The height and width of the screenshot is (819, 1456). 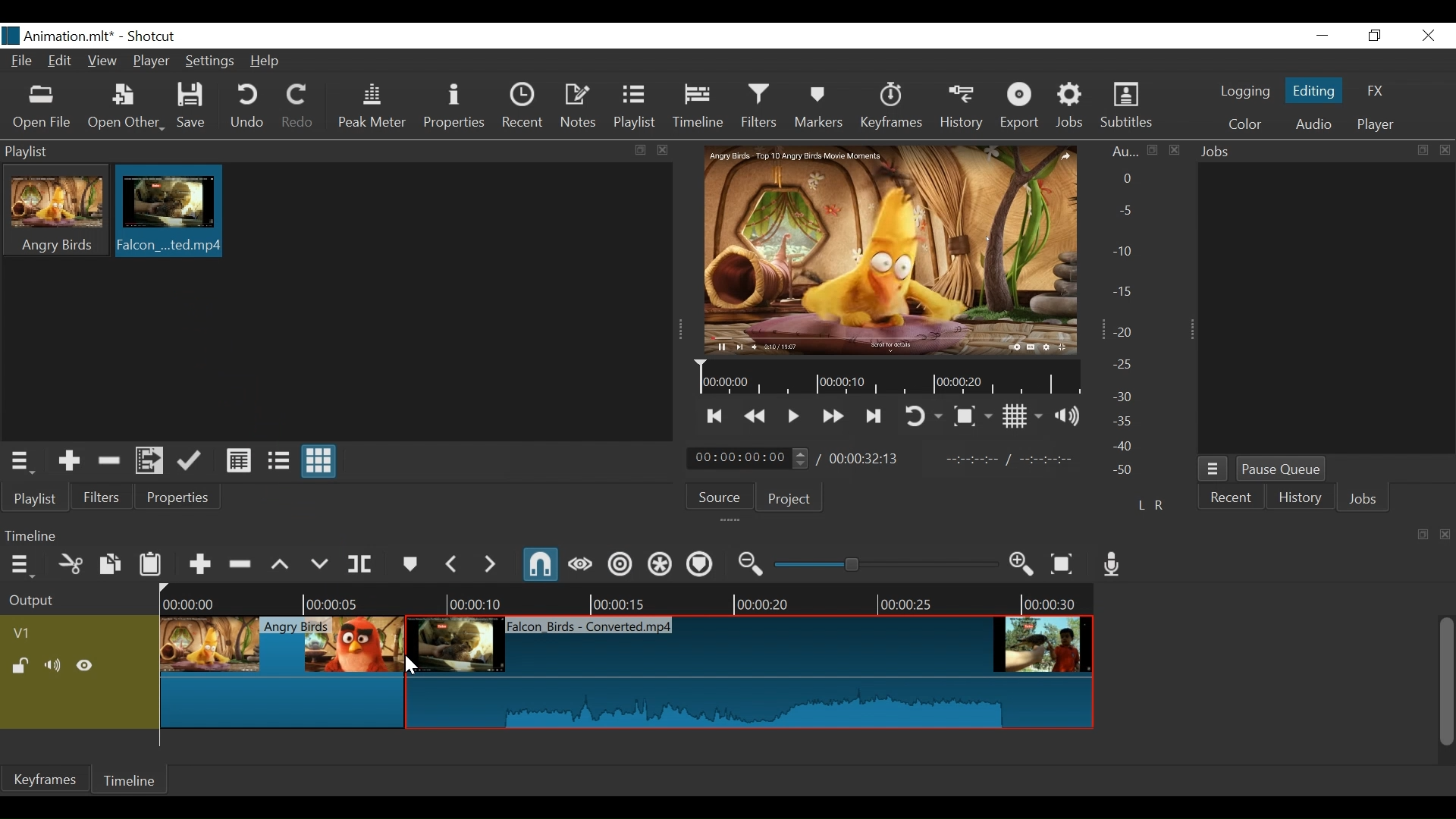 What do you see at coordinates (61, 61) in the screenshot?
I see `Edit` at bounding box center [61, 61].